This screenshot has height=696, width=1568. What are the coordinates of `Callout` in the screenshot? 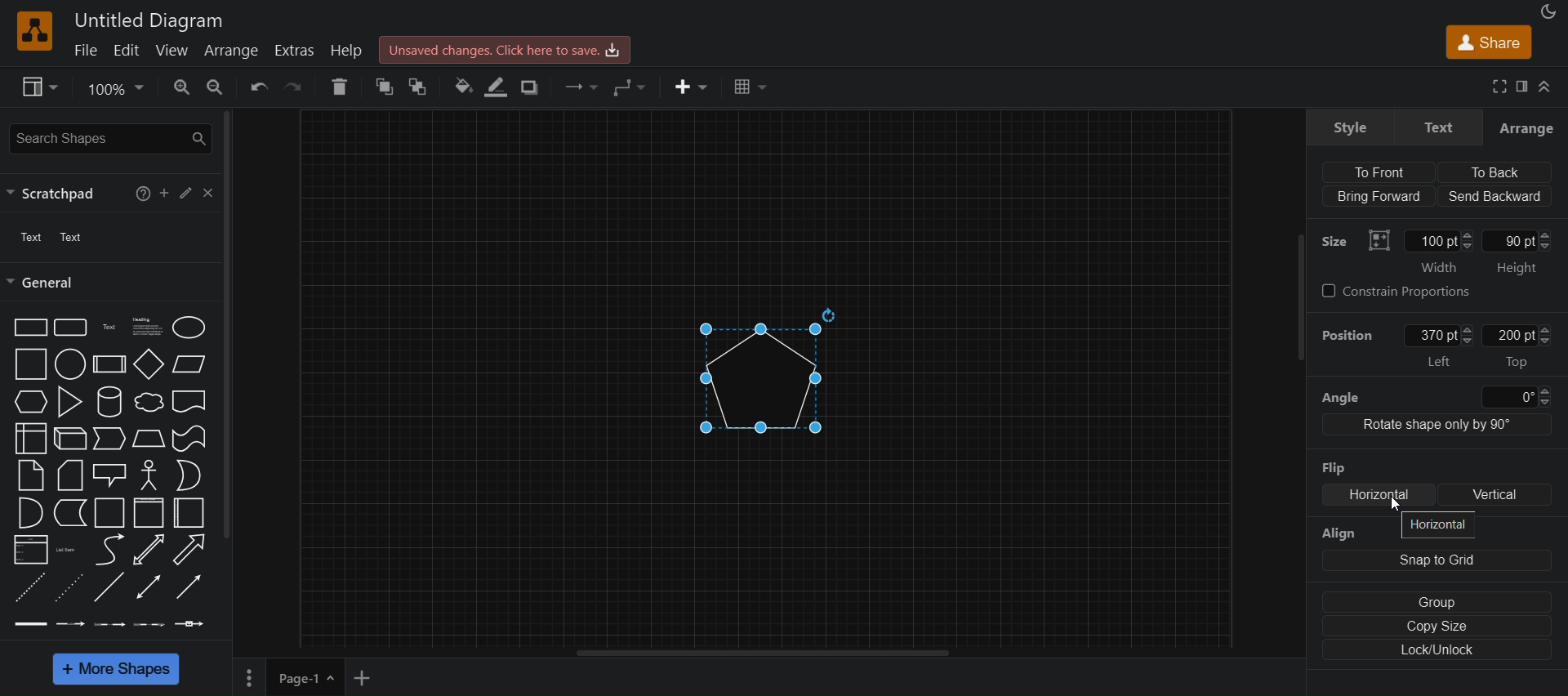 It's located at (109, 476).